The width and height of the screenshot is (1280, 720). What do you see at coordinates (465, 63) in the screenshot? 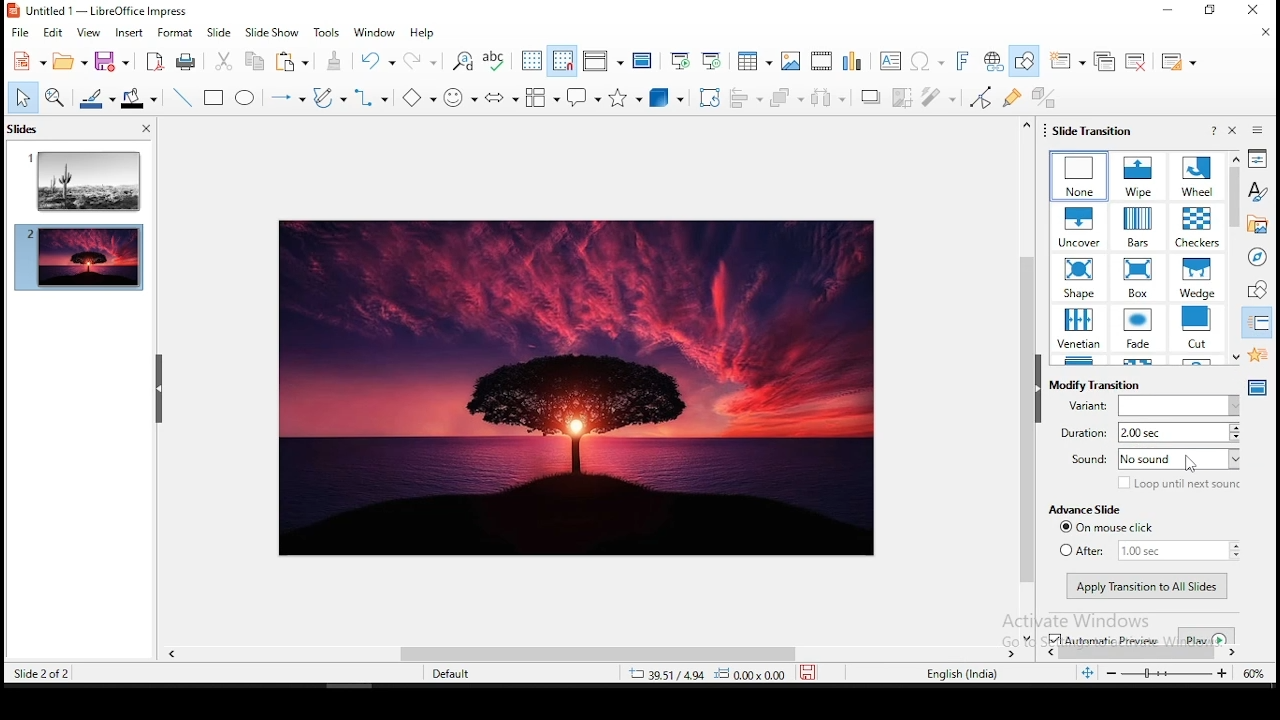
I see `find and replace` at bounding box center [465, 63].